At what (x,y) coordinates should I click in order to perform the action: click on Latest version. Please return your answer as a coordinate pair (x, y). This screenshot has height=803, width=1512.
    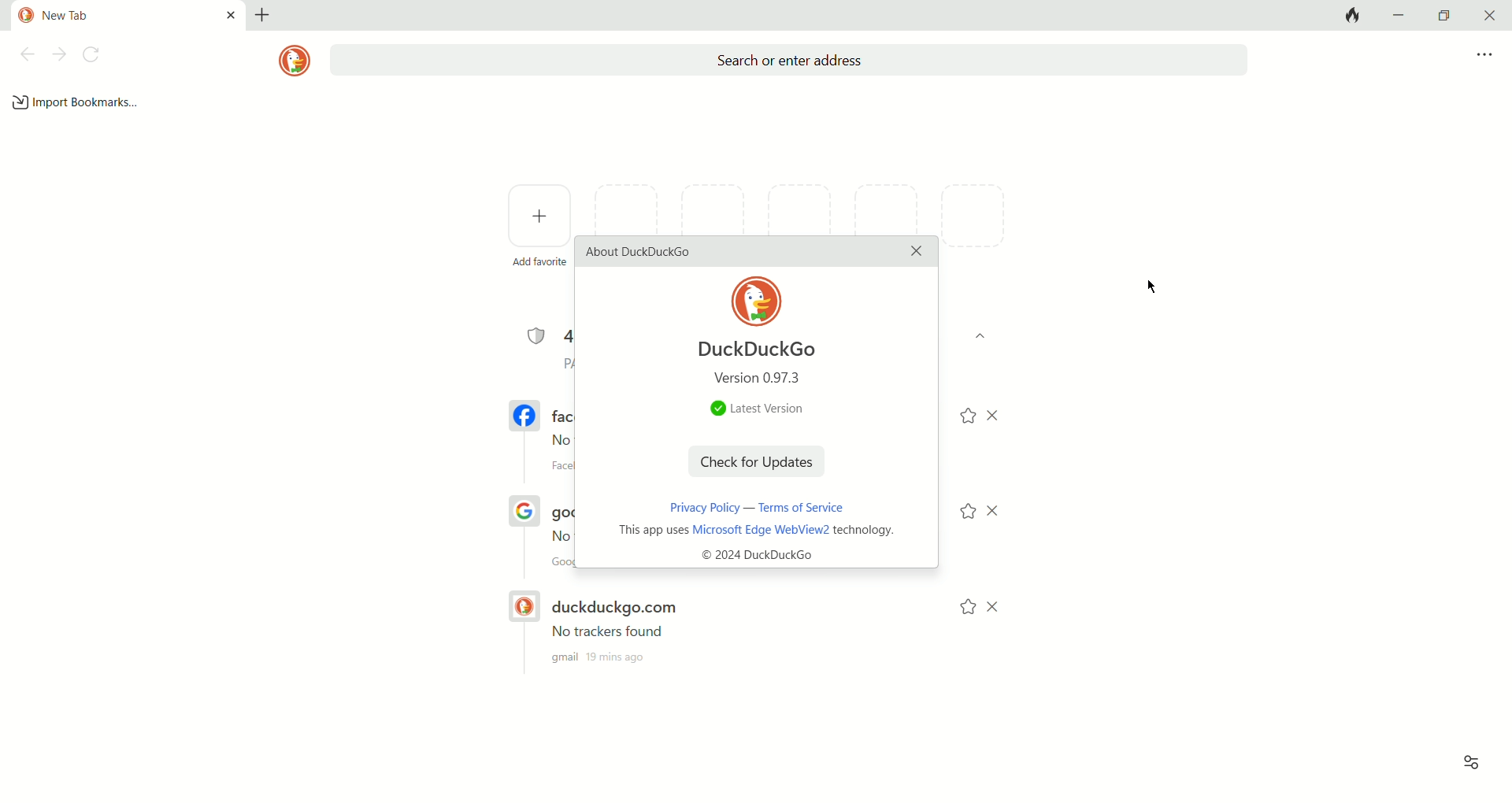
    Looking at the image, I should click on (749, 409).